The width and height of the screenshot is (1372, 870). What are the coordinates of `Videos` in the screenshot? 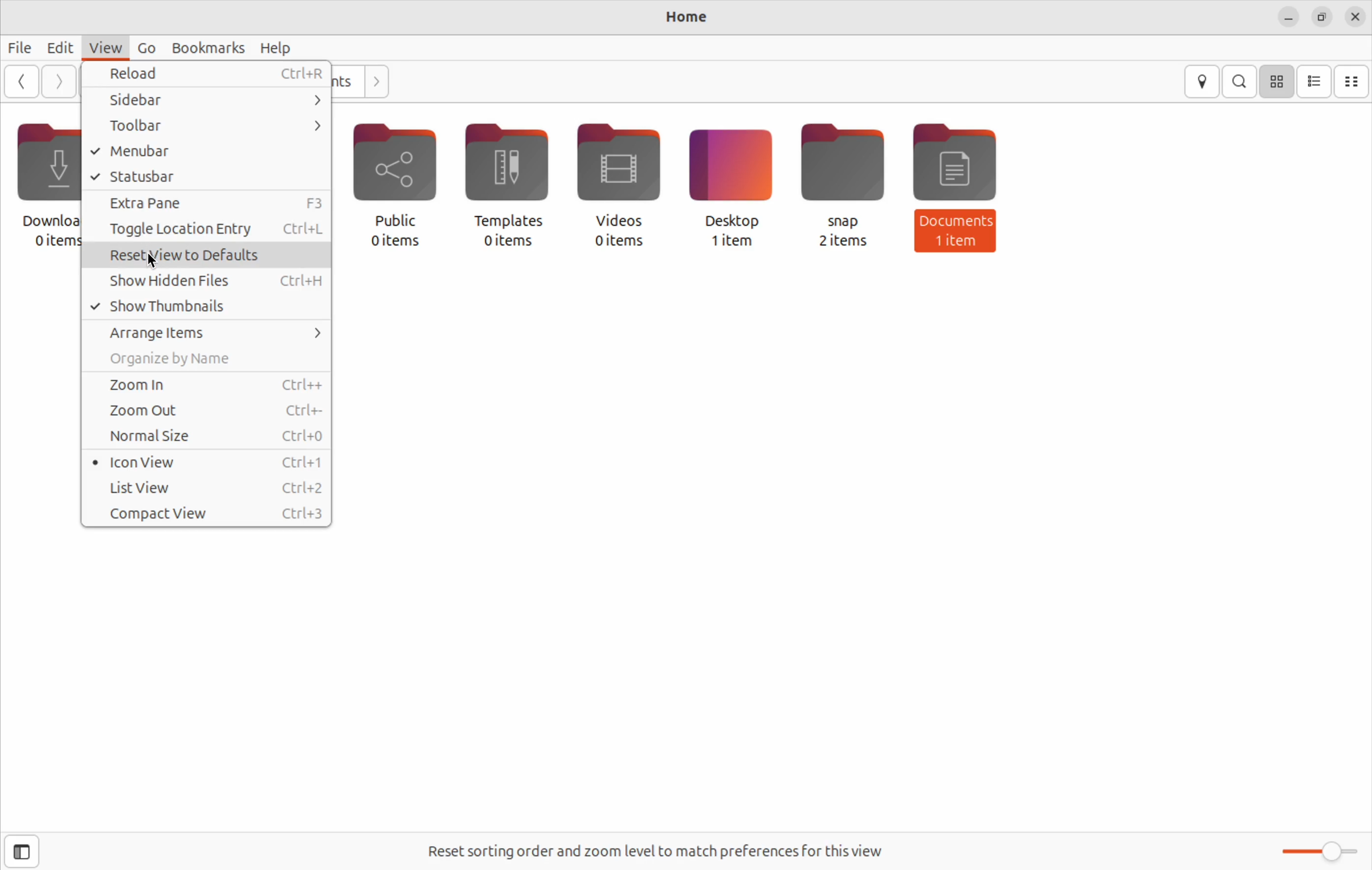 It's located at (618, 172).